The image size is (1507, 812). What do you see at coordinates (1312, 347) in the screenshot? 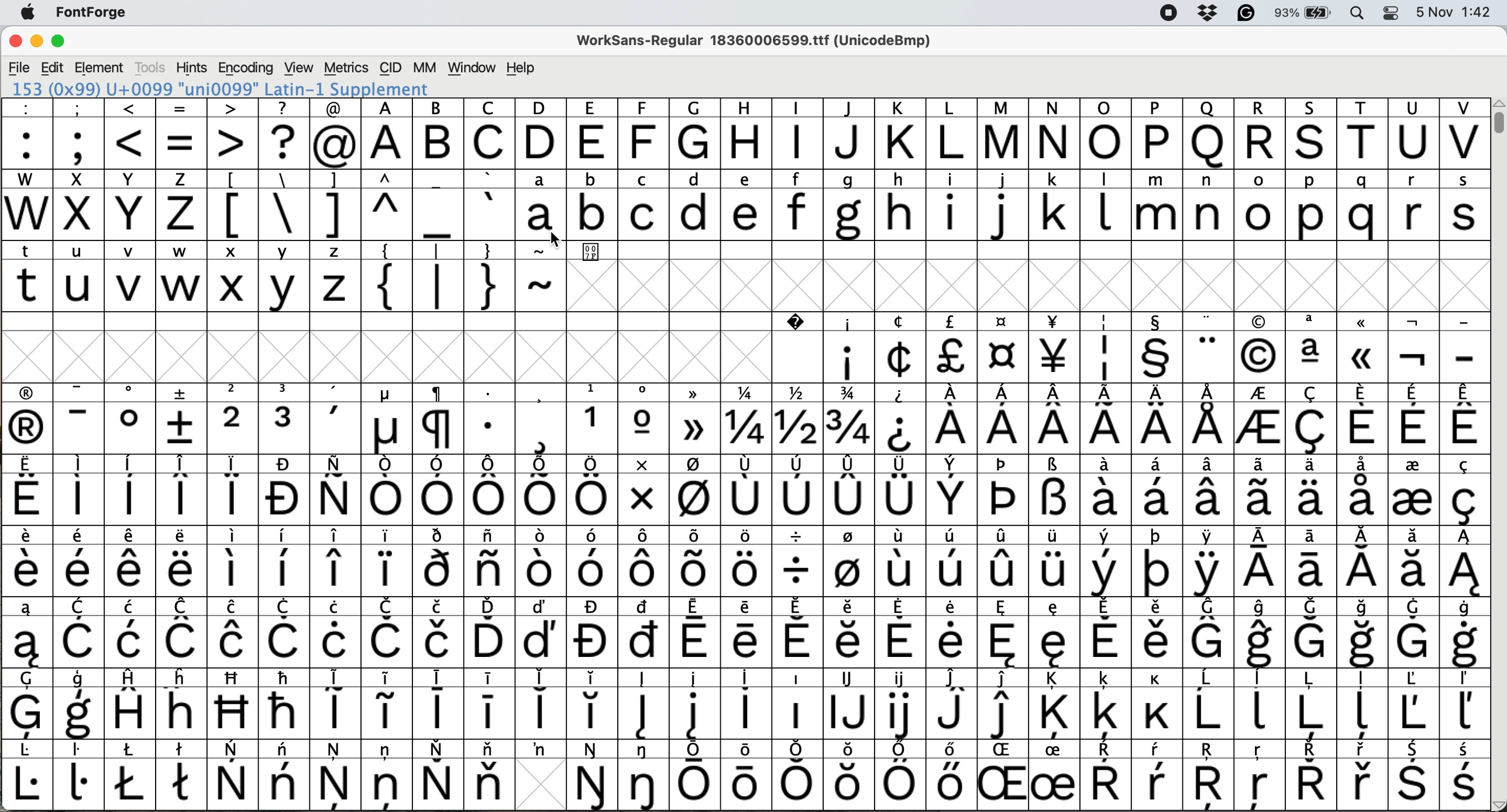
I see `symbol` at bounding box center [1312, 347].